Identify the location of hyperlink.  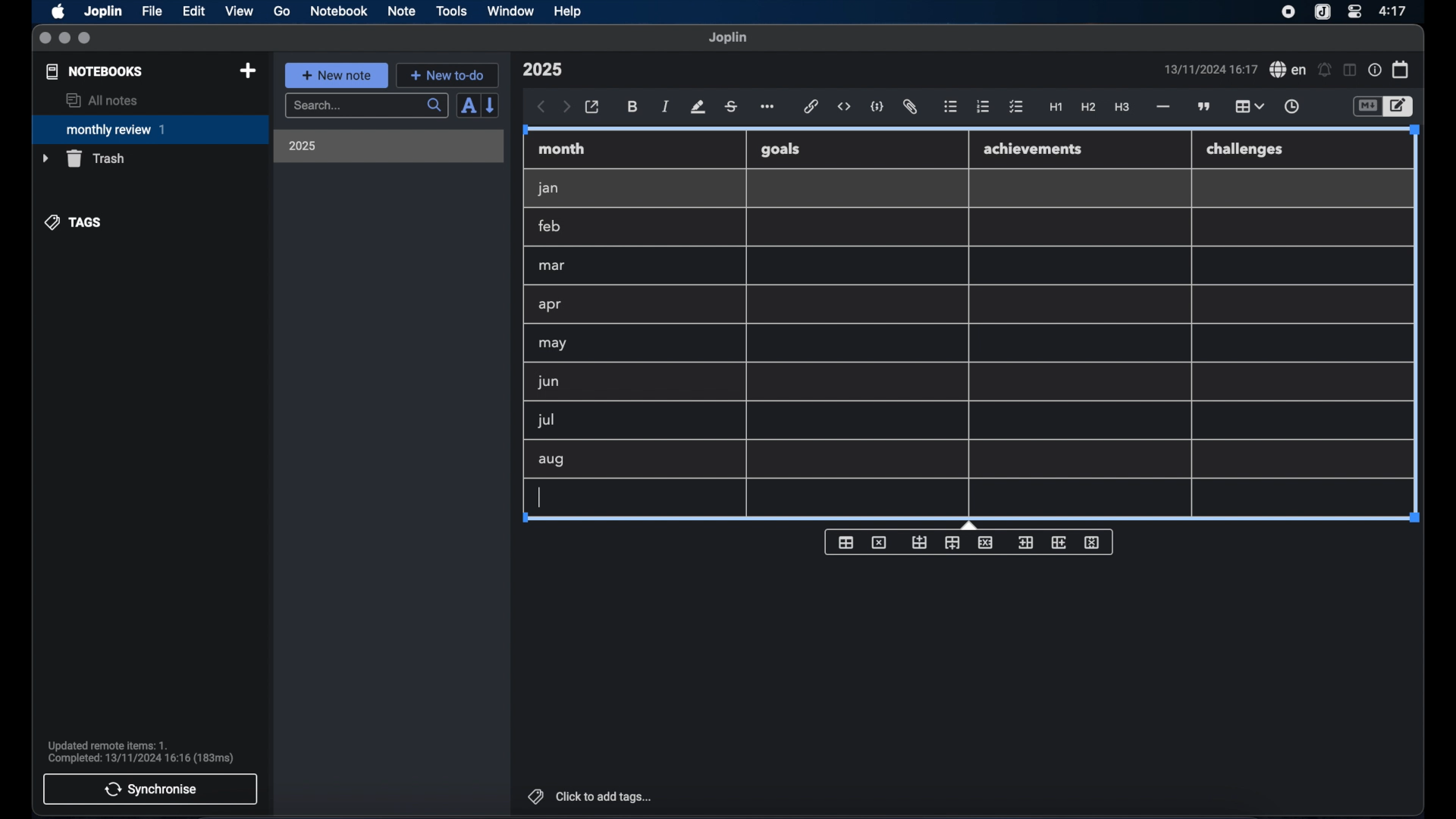
(811, 106).